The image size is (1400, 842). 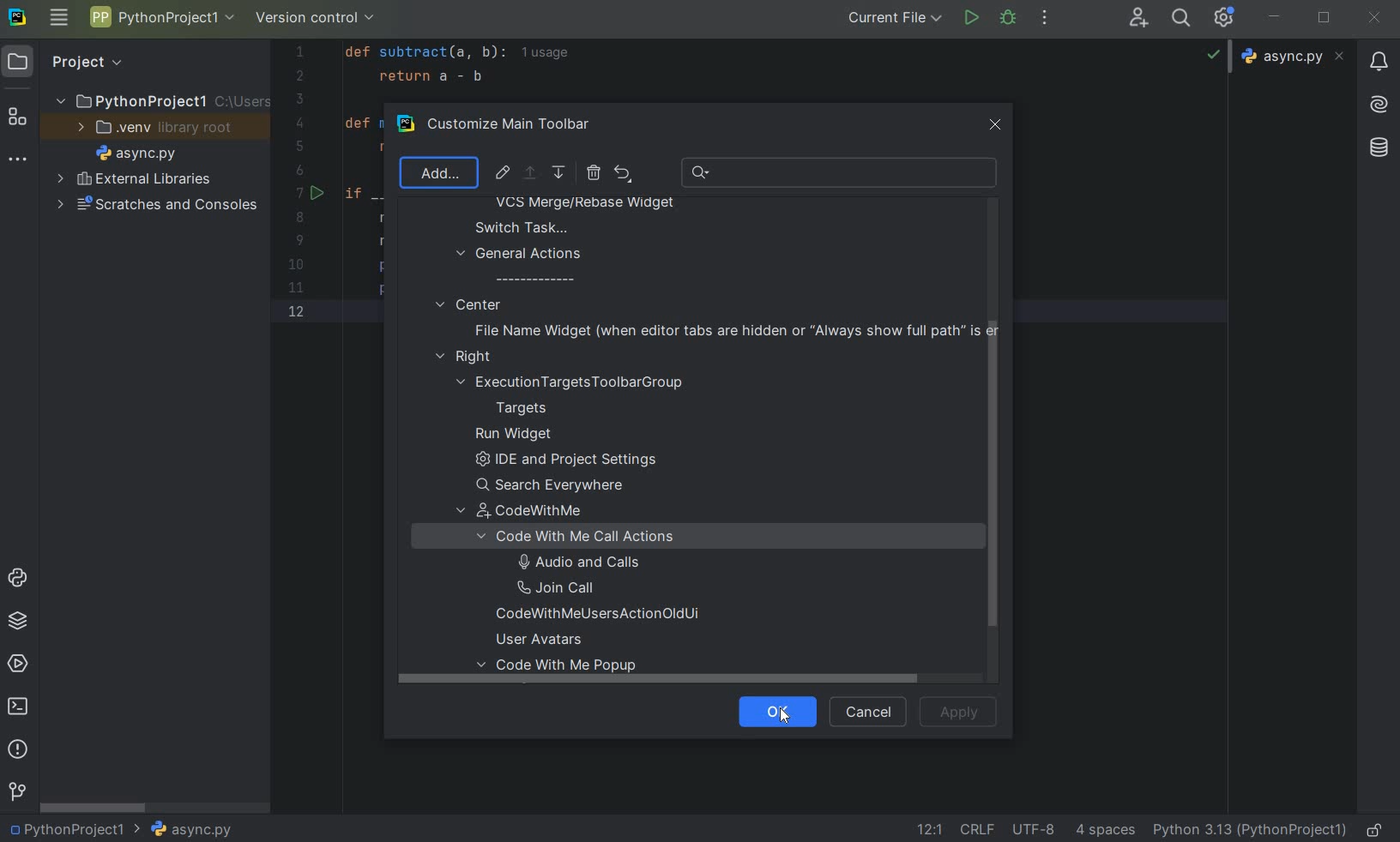 What do you see at coordinates (503, 172) in the screenshot?
I see `EDIT ICON` at bounding box center [503, 172].